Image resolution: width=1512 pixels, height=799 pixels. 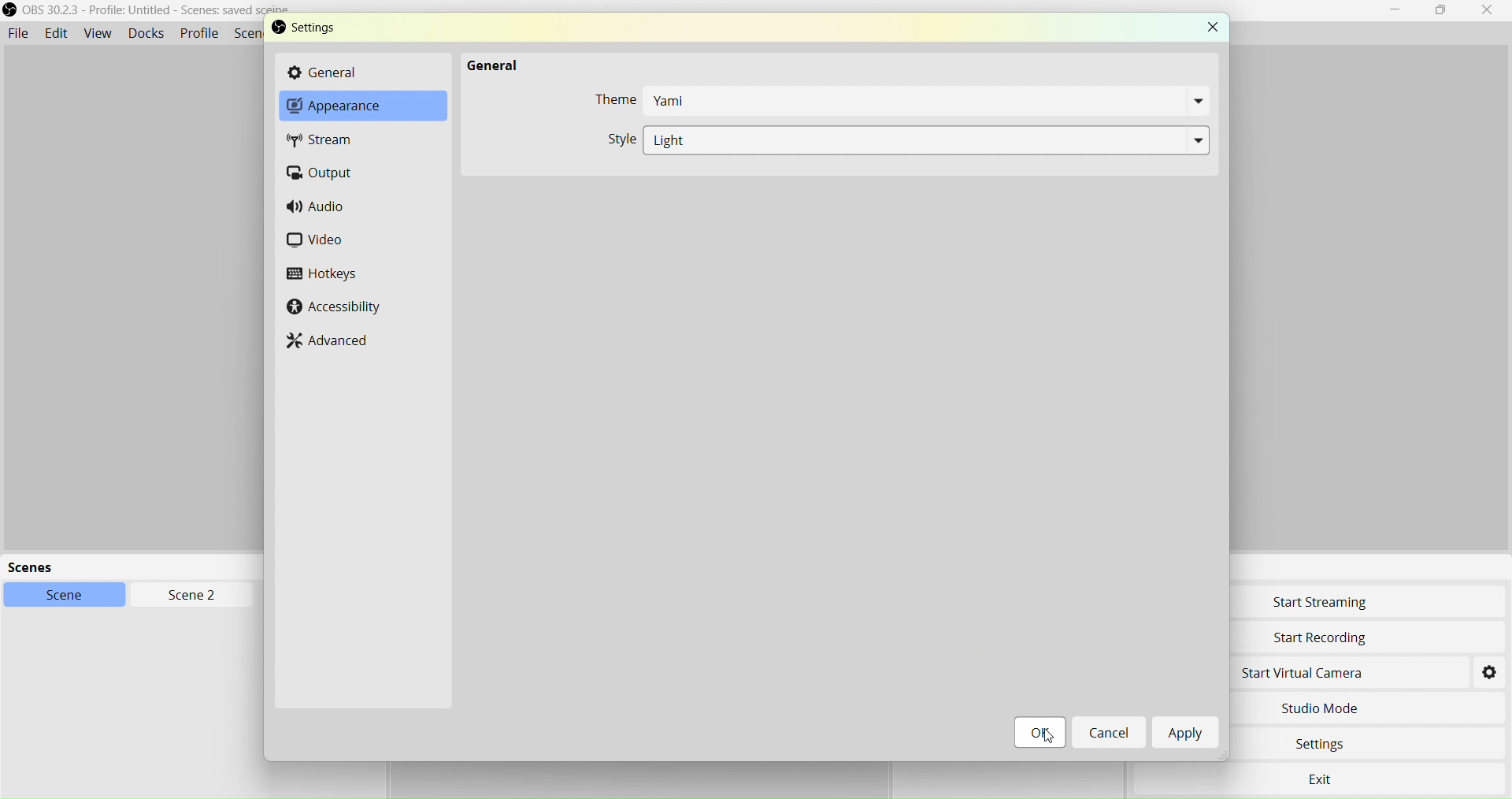 What do you see at coordinates (322, 209) in the screenshot?
I see `Audio` at bounding box center [322, 209].